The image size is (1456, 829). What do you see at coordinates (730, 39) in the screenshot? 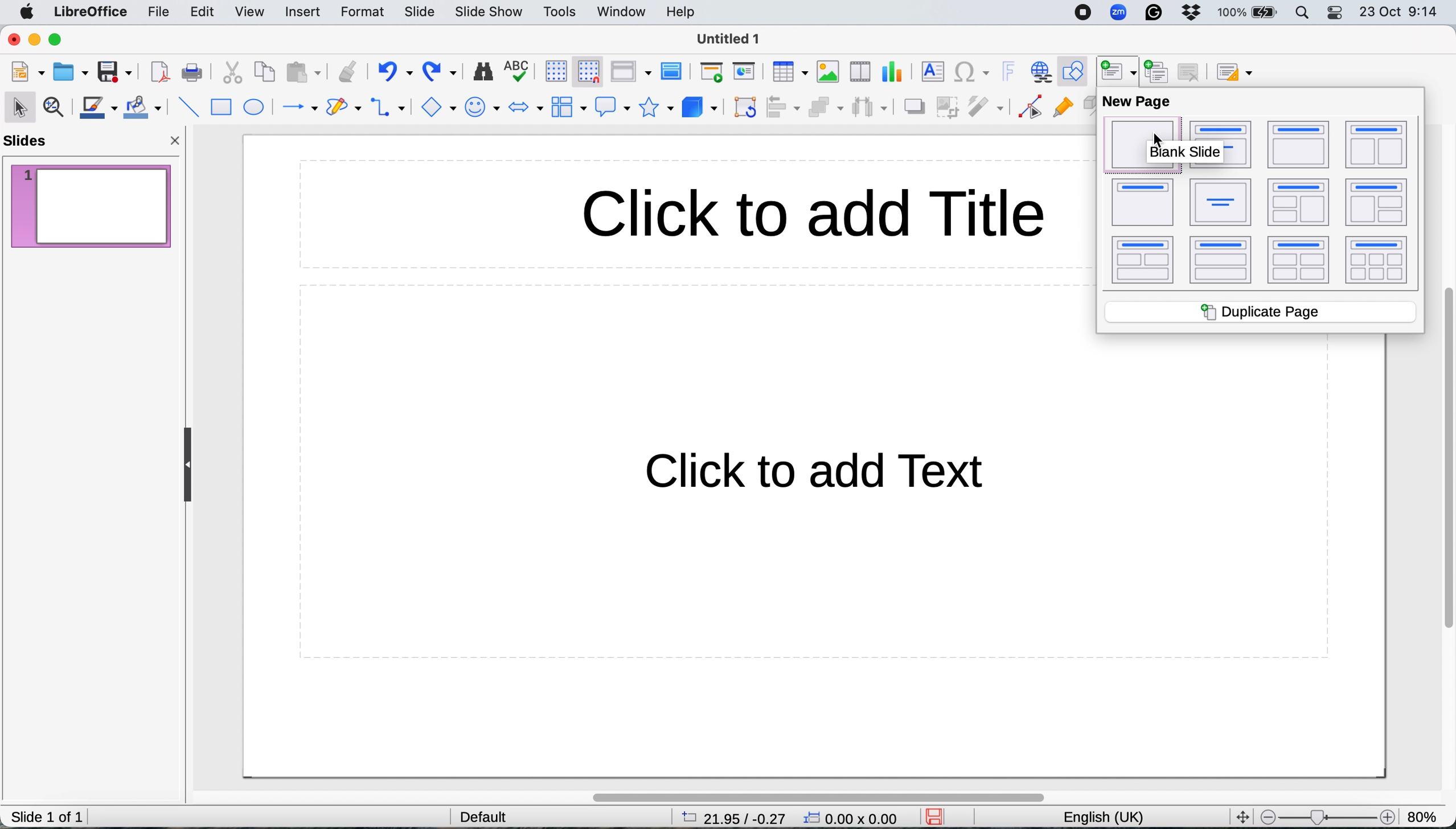
I see `file name` at bounding box center [730, 39].